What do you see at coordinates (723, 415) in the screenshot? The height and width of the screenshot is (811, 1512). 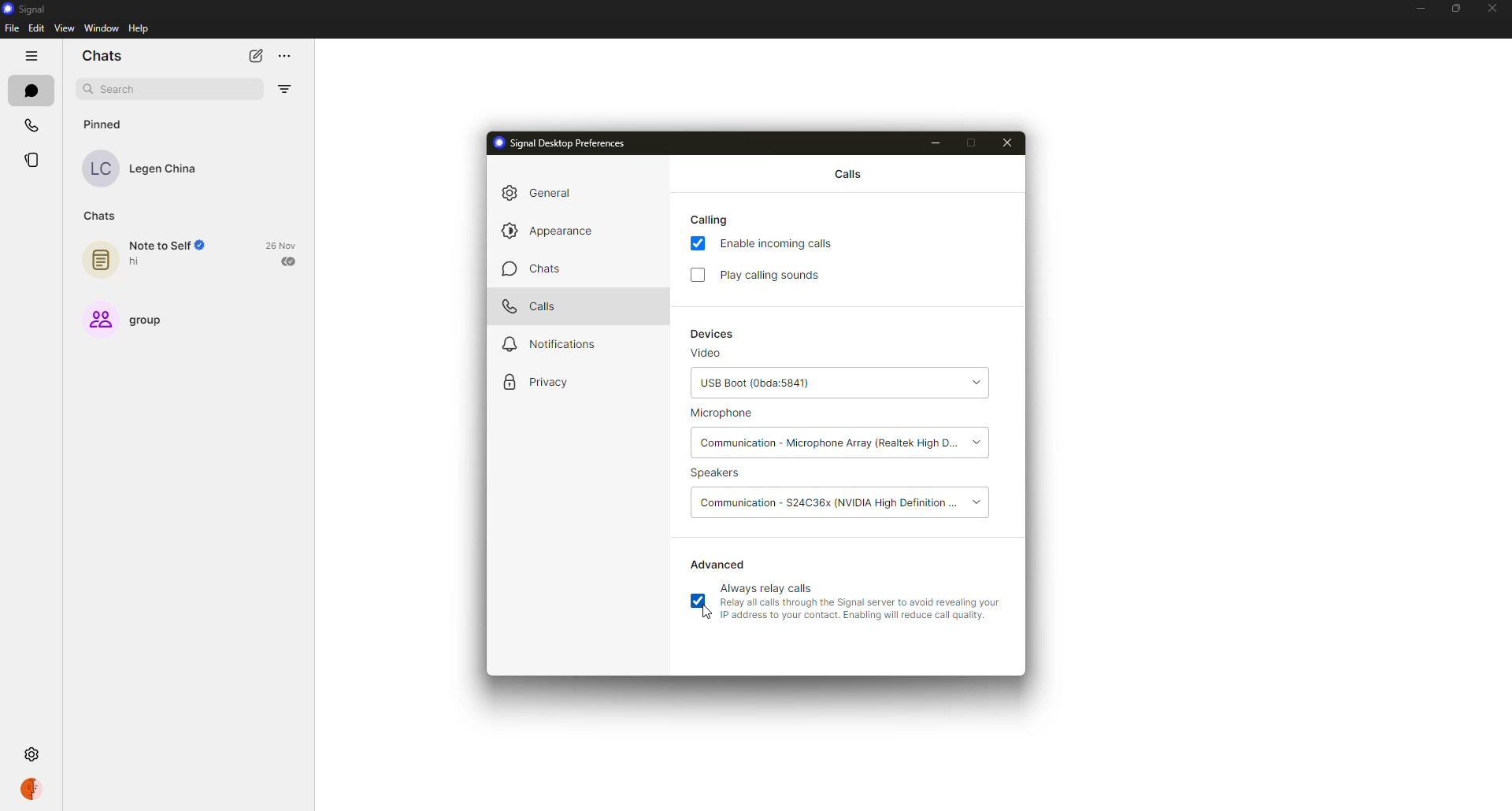 I see `microphone` at bounding box center [723, 415].